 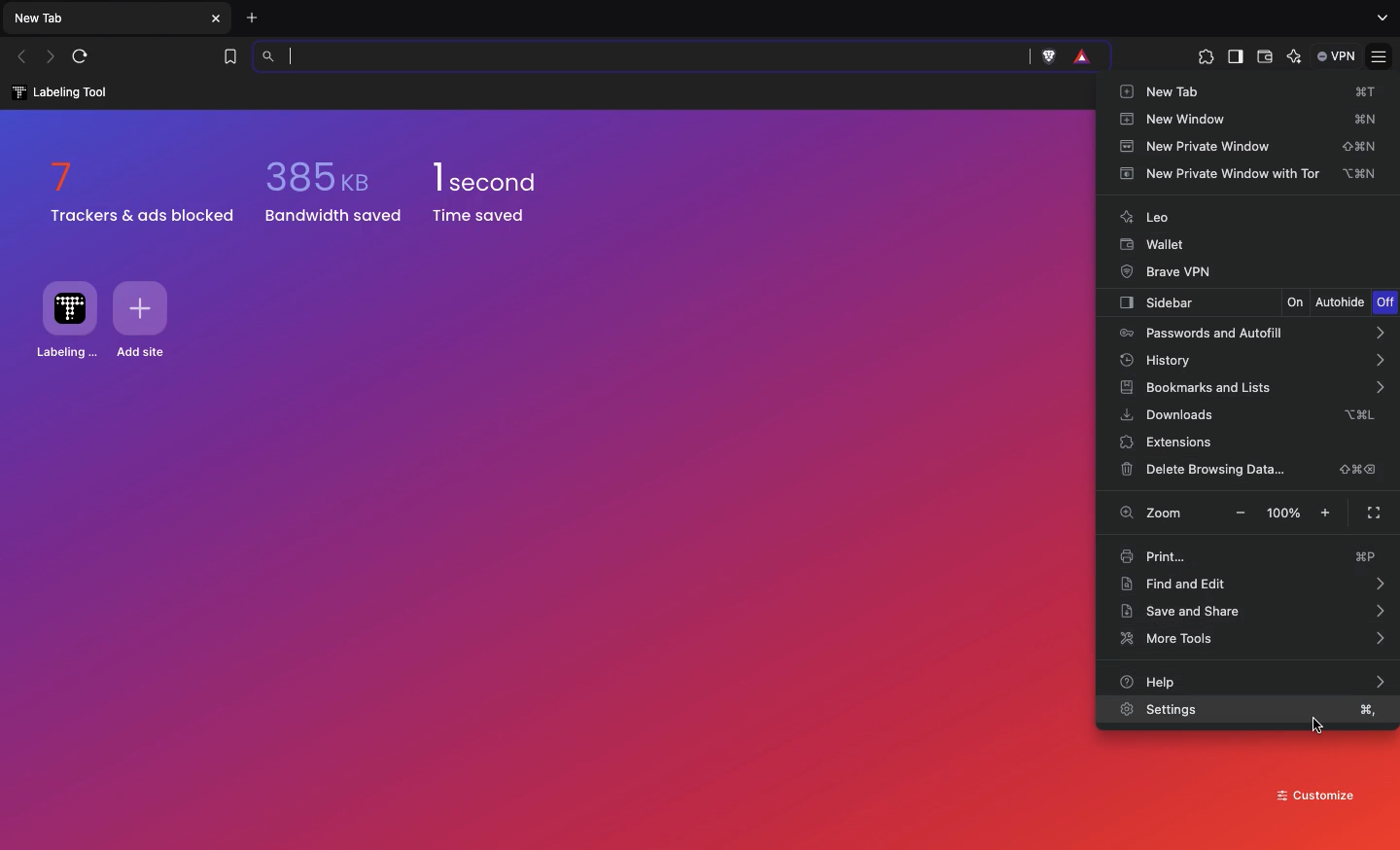 What do you see at coordinates (1162, 709) in the screenshot?
I see `Settings` at bounding box center [1162, 709].